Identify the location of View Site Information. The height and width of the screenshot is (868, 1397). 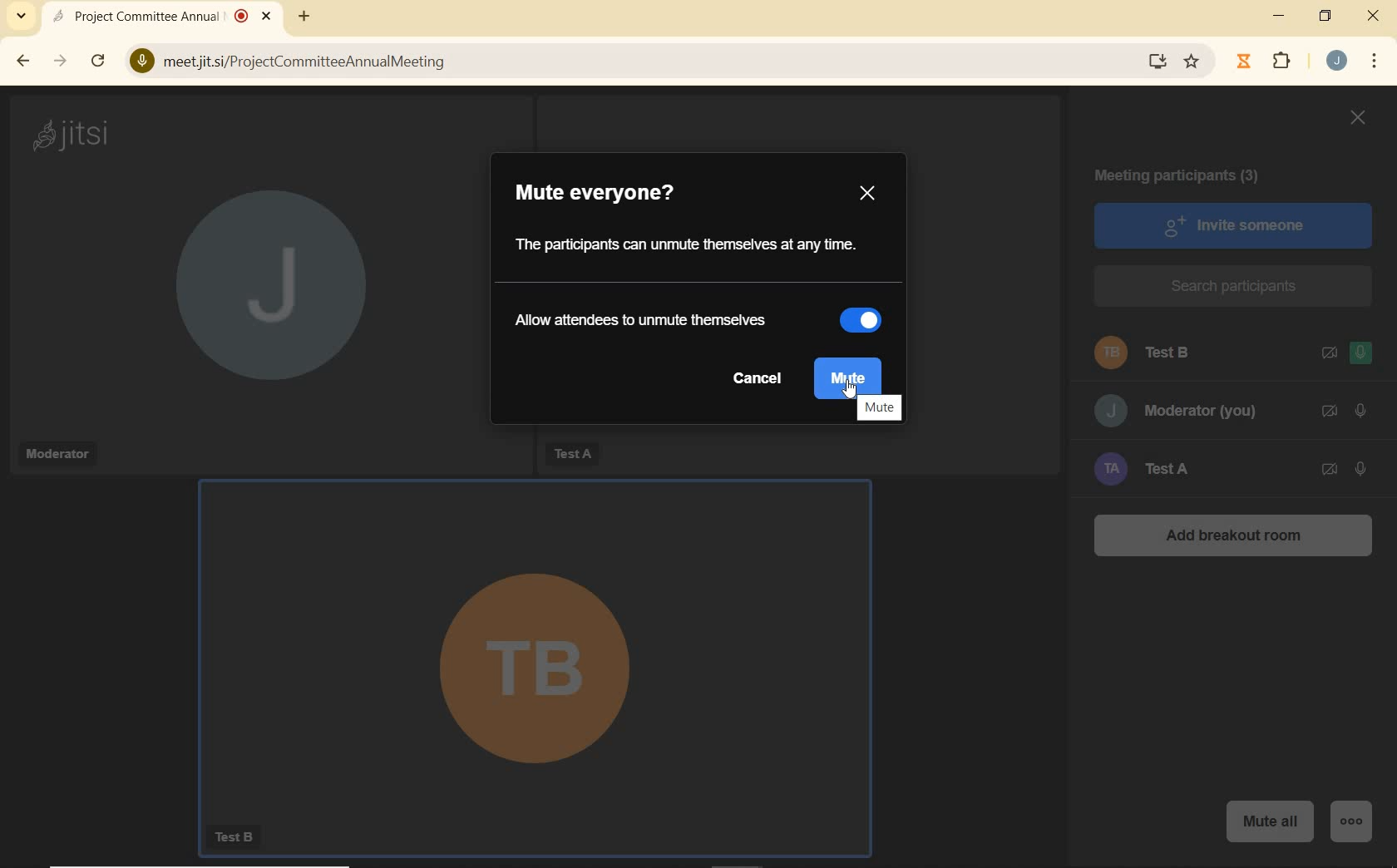
(138, 62).